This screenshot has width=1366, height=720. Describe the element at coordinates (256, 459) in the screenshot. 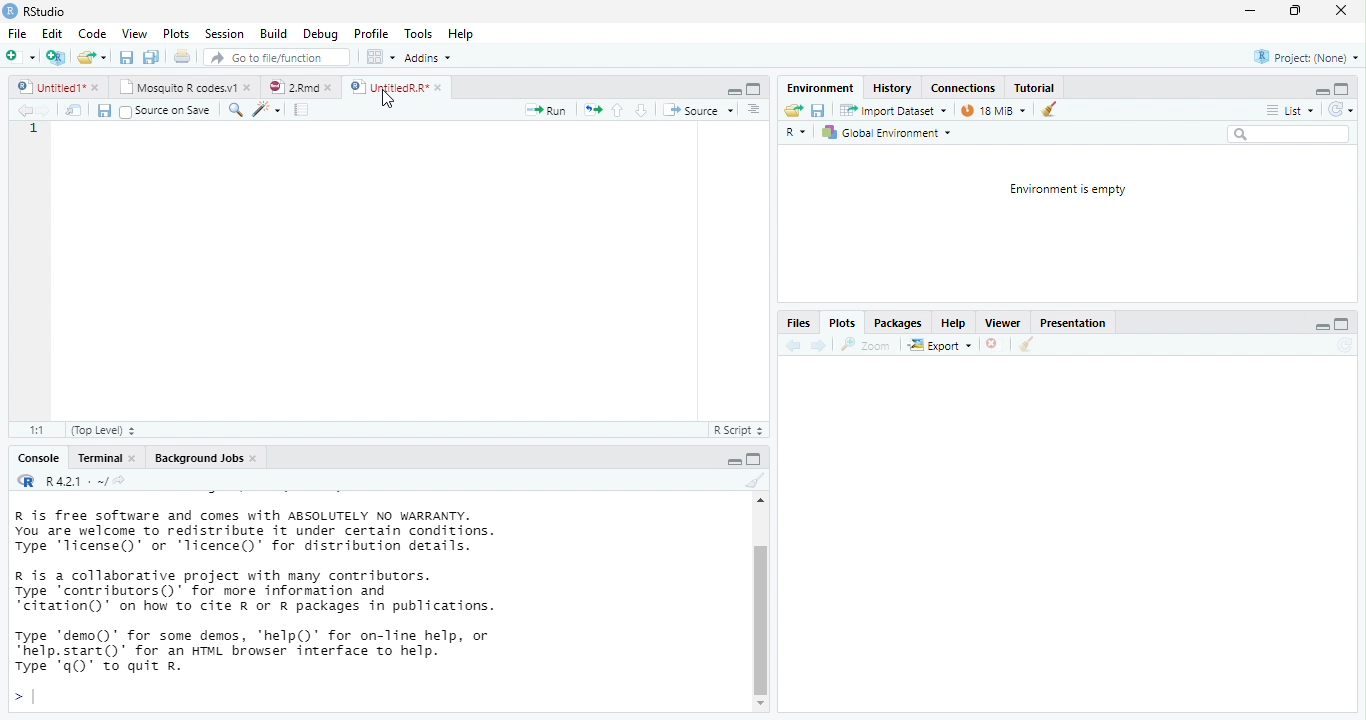

I see `close` at that location.